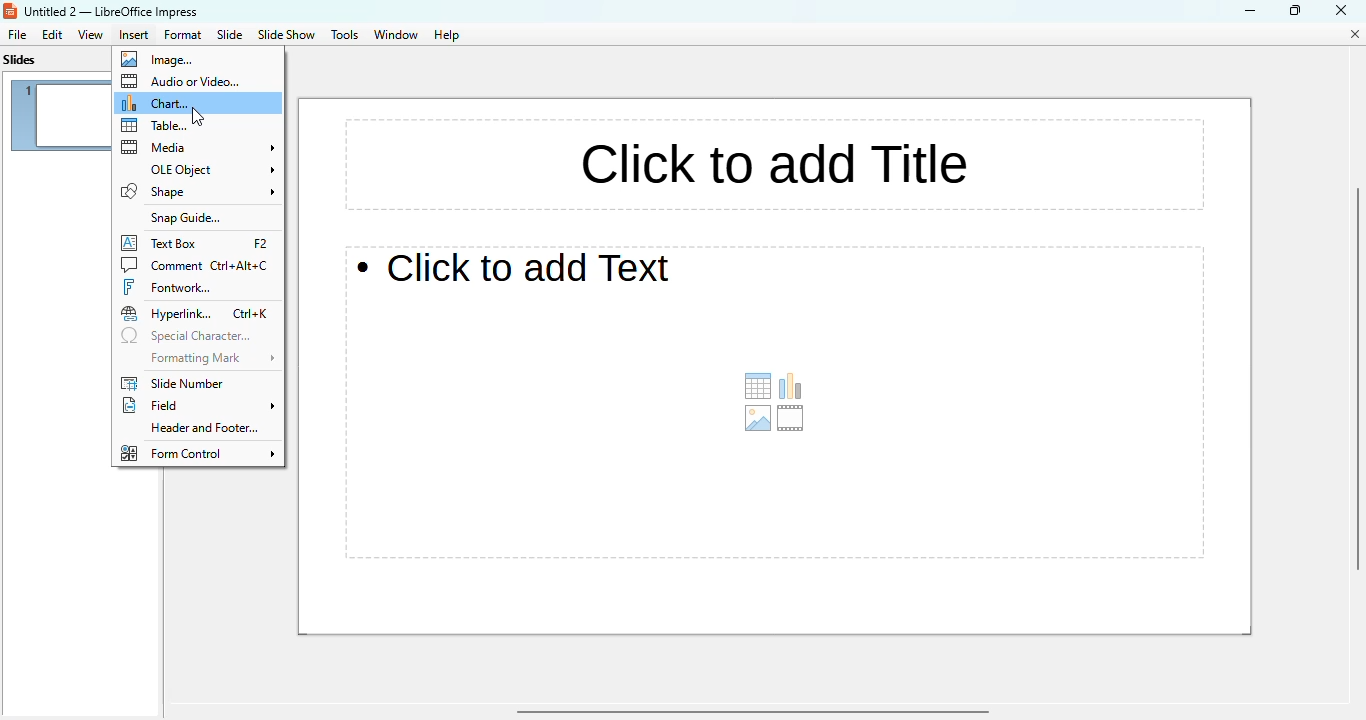  Describe the element at coordinates (199, 191) in the screenshot. I see `shape` at that location.